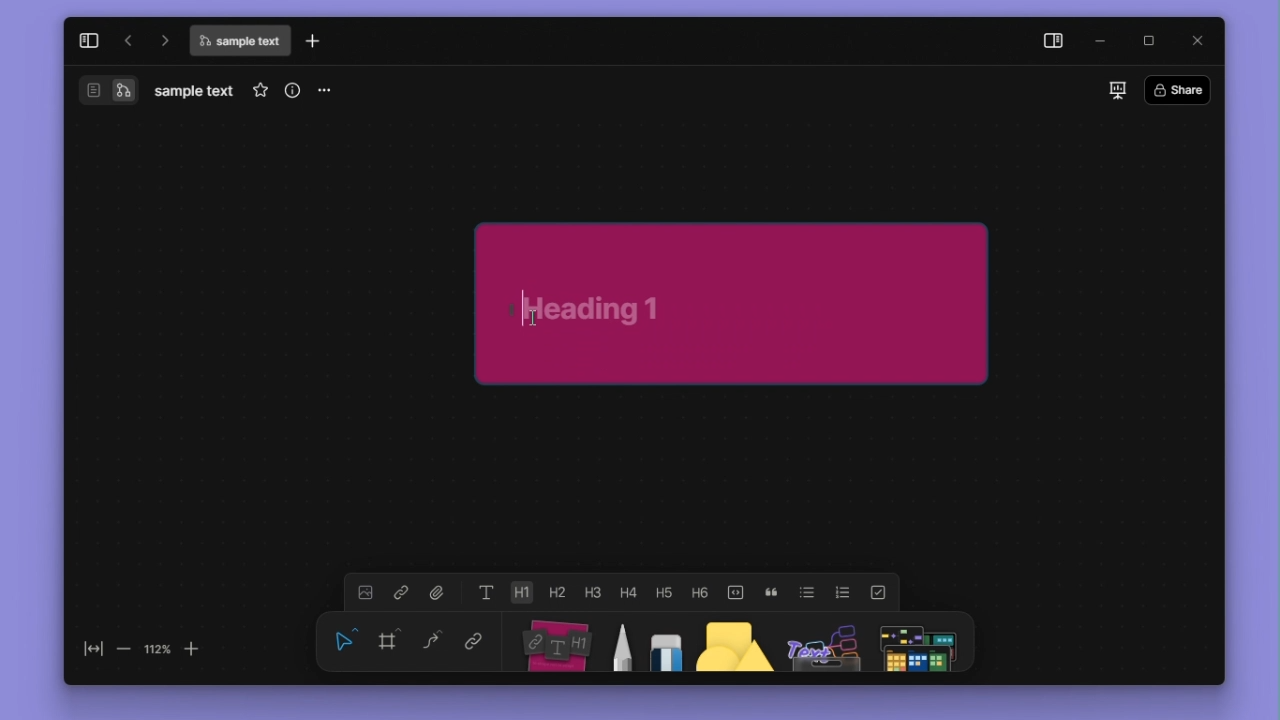 The height and width of the screenshot is (720, 1280). What do you see at coordinates (917, 642) in the screenshot?
I see `more` at bounding box center [917, 642].